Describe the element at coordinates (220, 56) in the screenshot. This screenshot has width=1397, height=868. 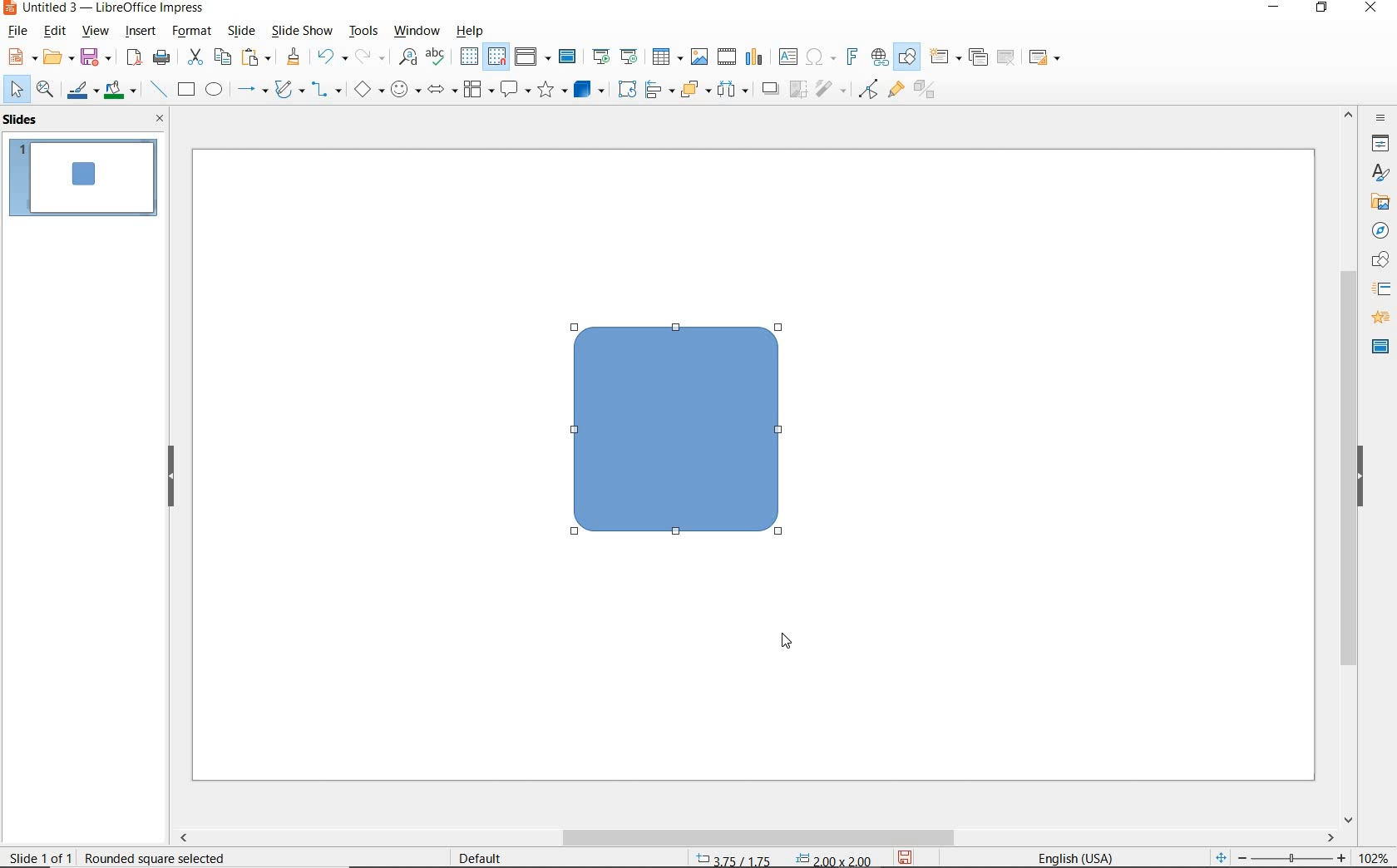
I see `copy` at that location.